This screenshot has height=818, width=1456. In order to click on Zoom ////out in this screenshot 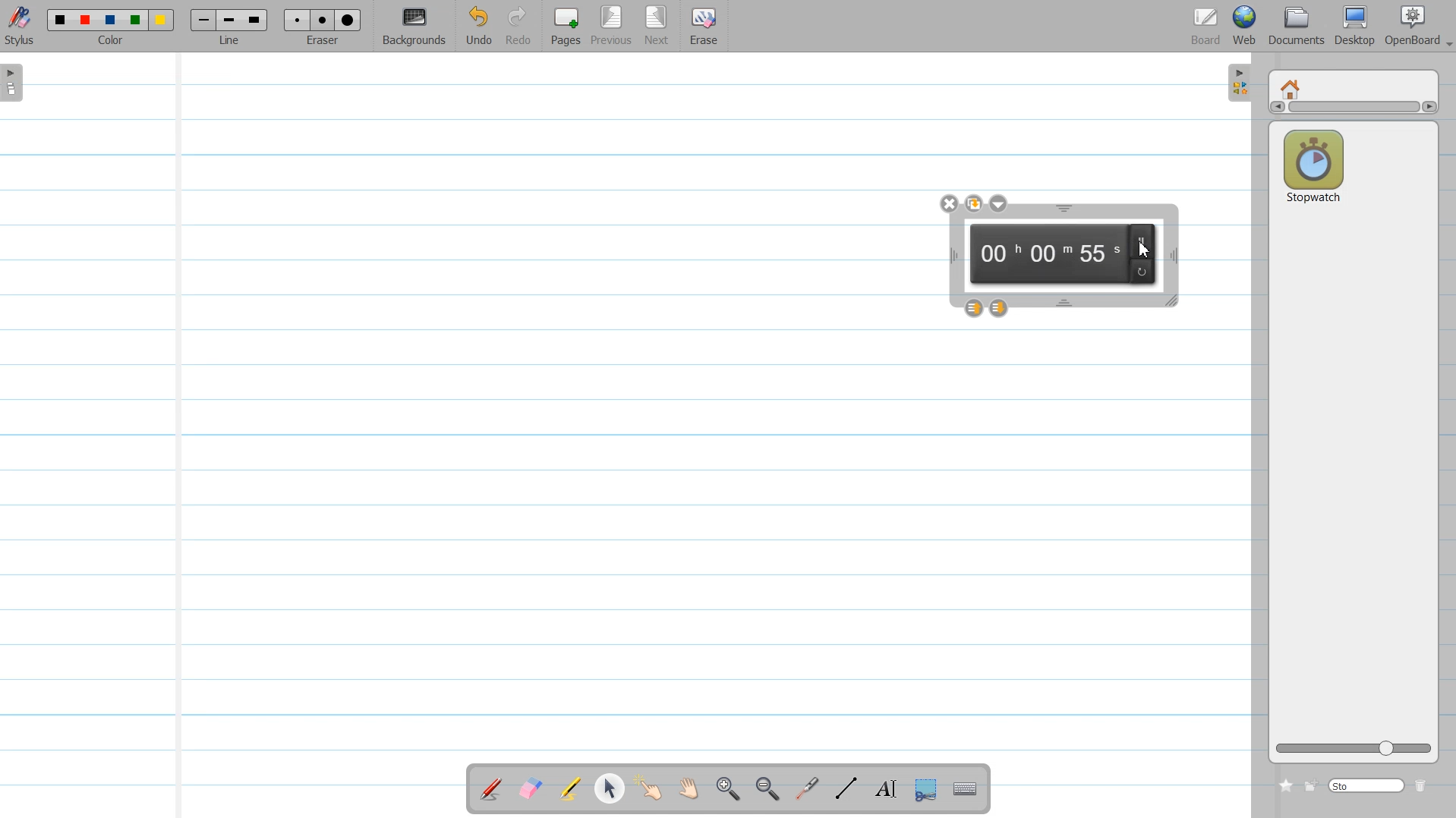, I will do `click(769, 788)`.